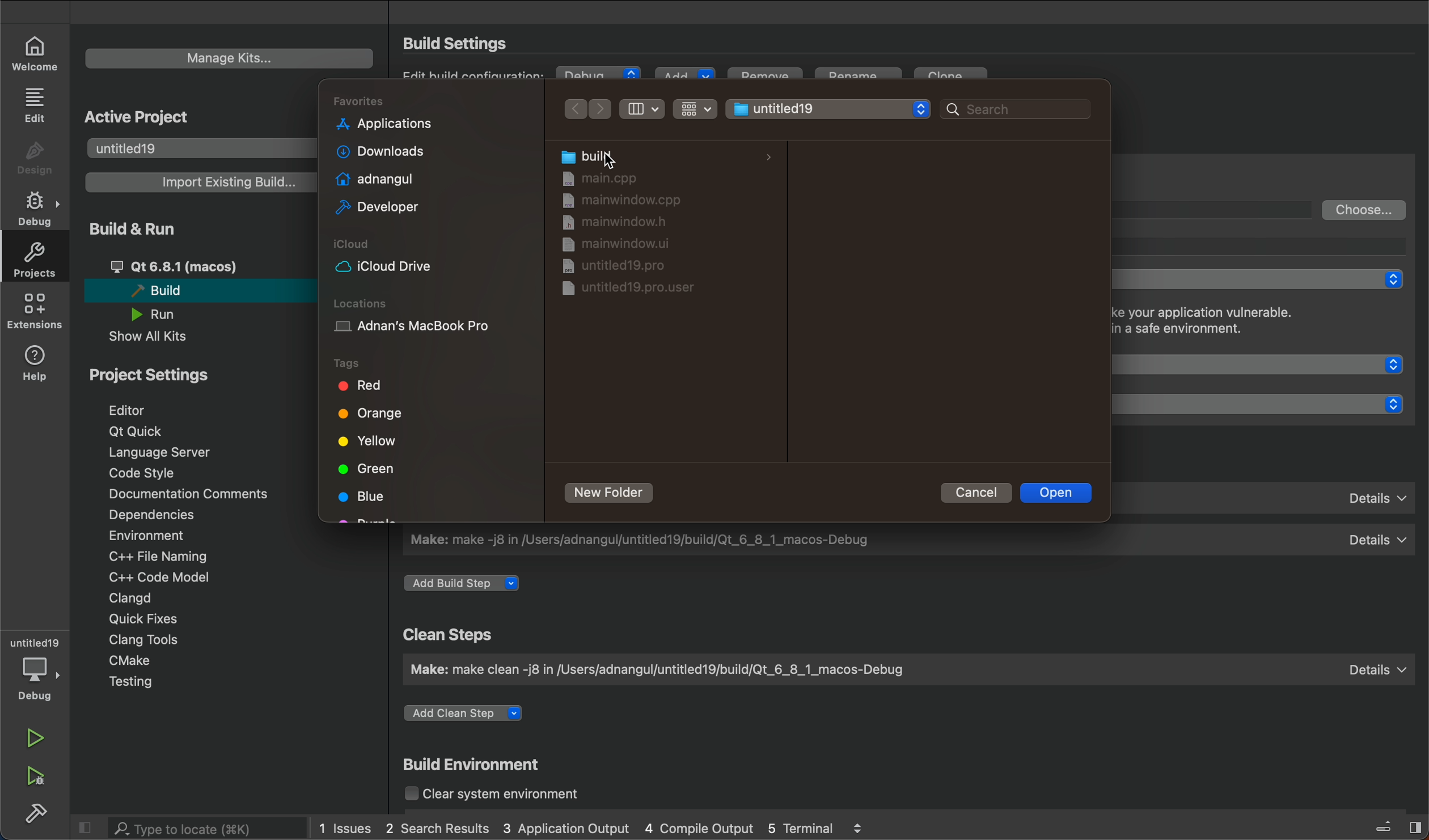 The image size is (1429, 840). I want to click on add clean step, so click(472, 716).